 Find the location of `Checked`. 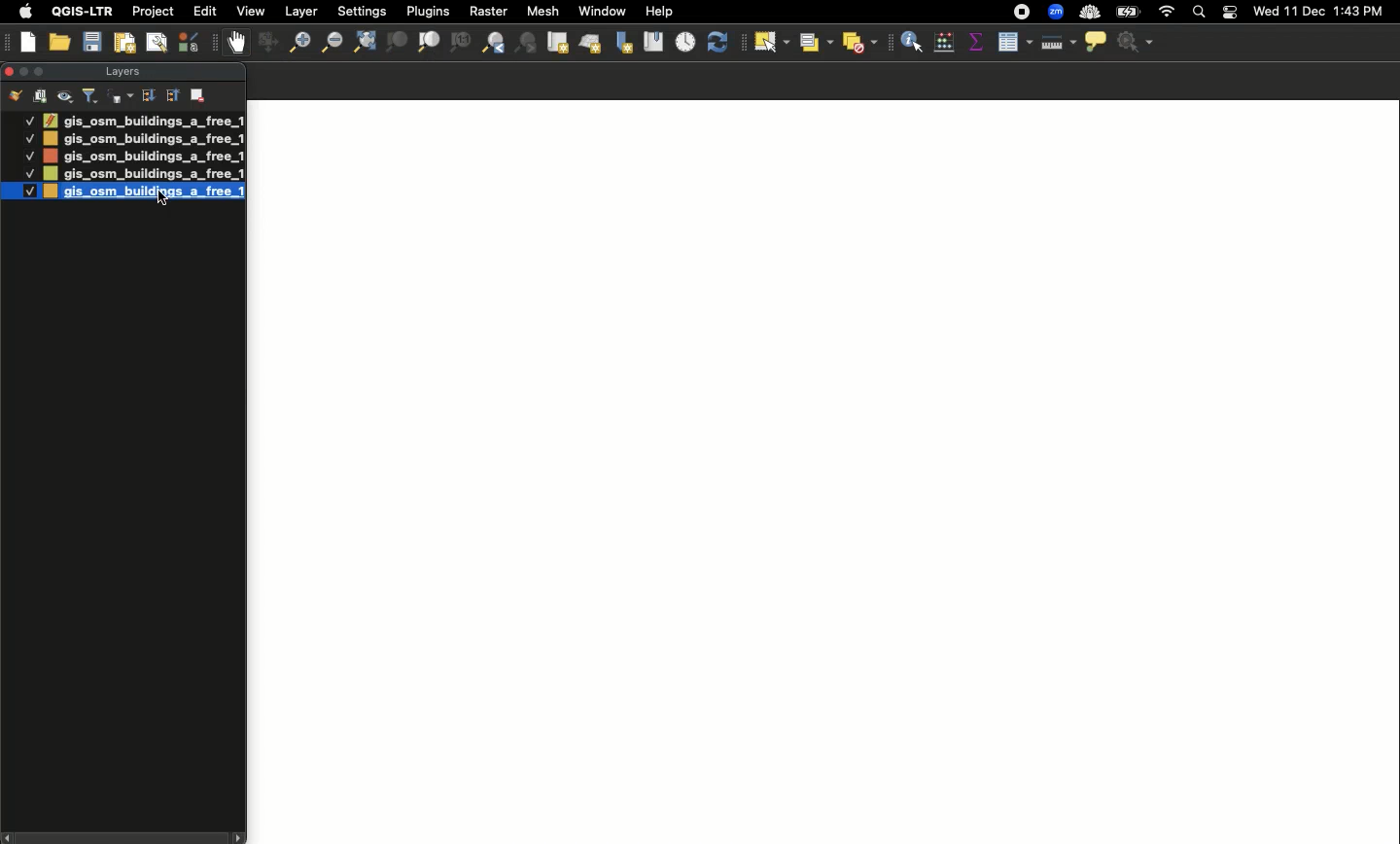

Checked is located at coordinates (19, 191).